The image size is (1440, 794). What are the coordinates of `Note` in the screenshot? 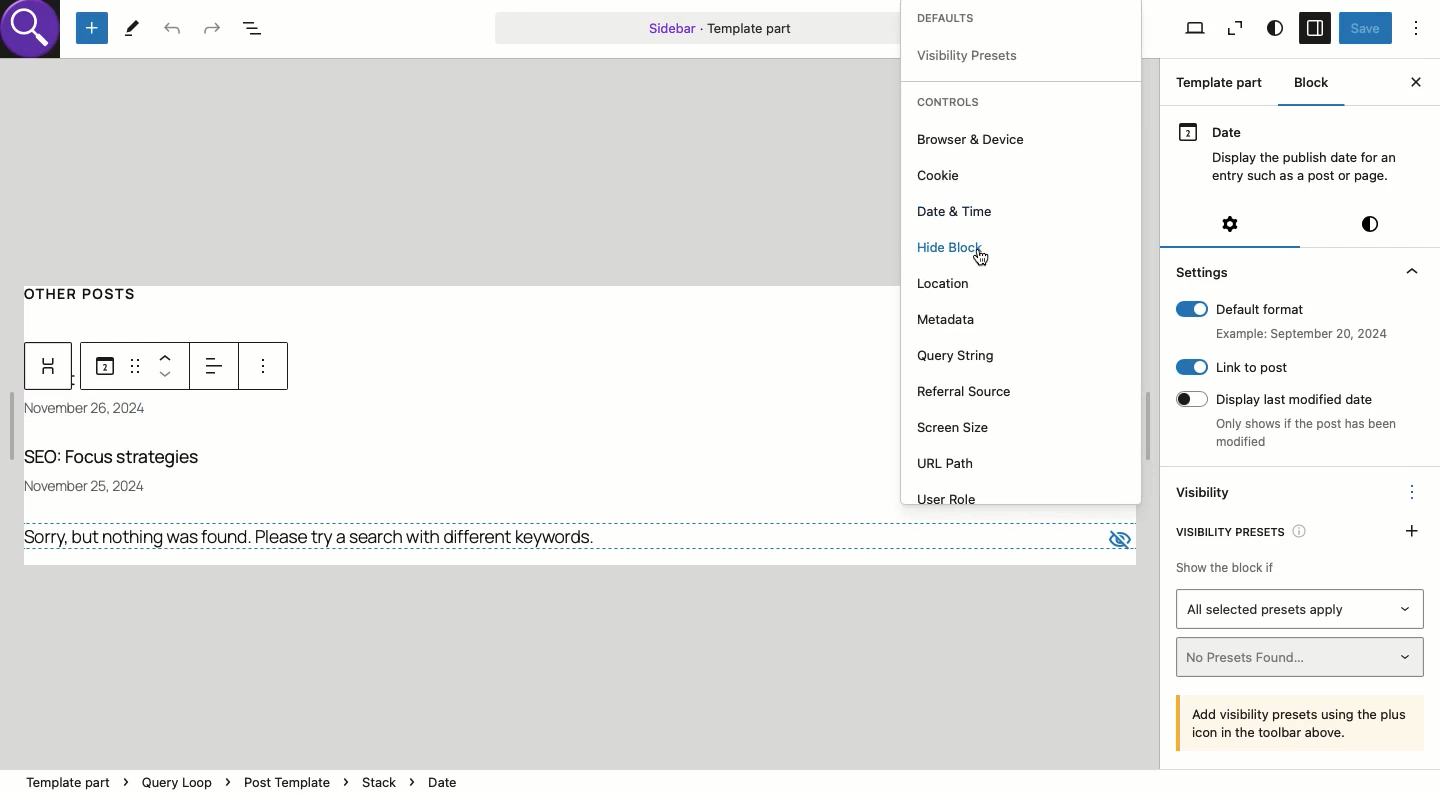 It's located at (1302, 722).